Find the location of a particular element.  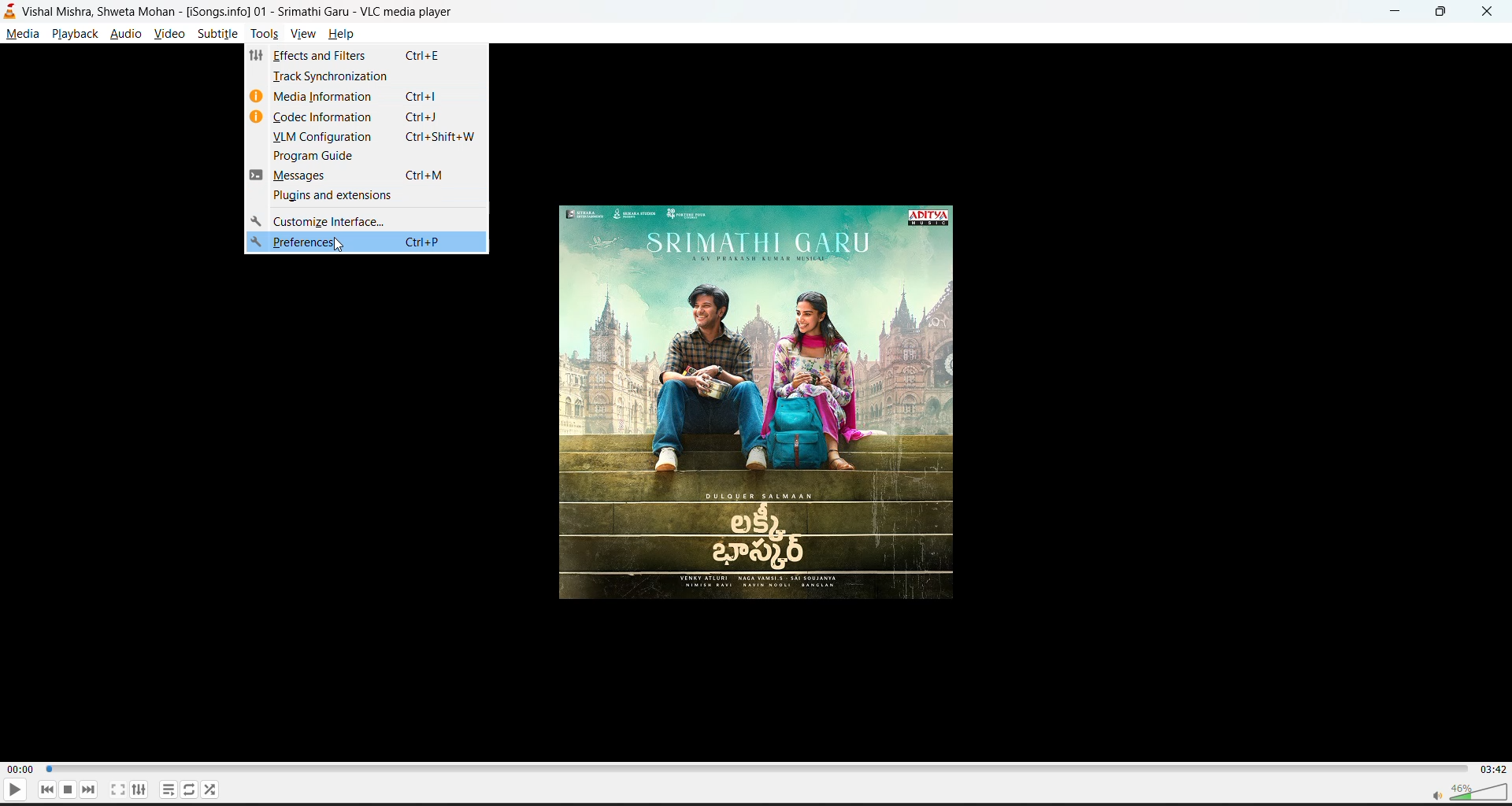

preferences is located at coordinates (365, 242).